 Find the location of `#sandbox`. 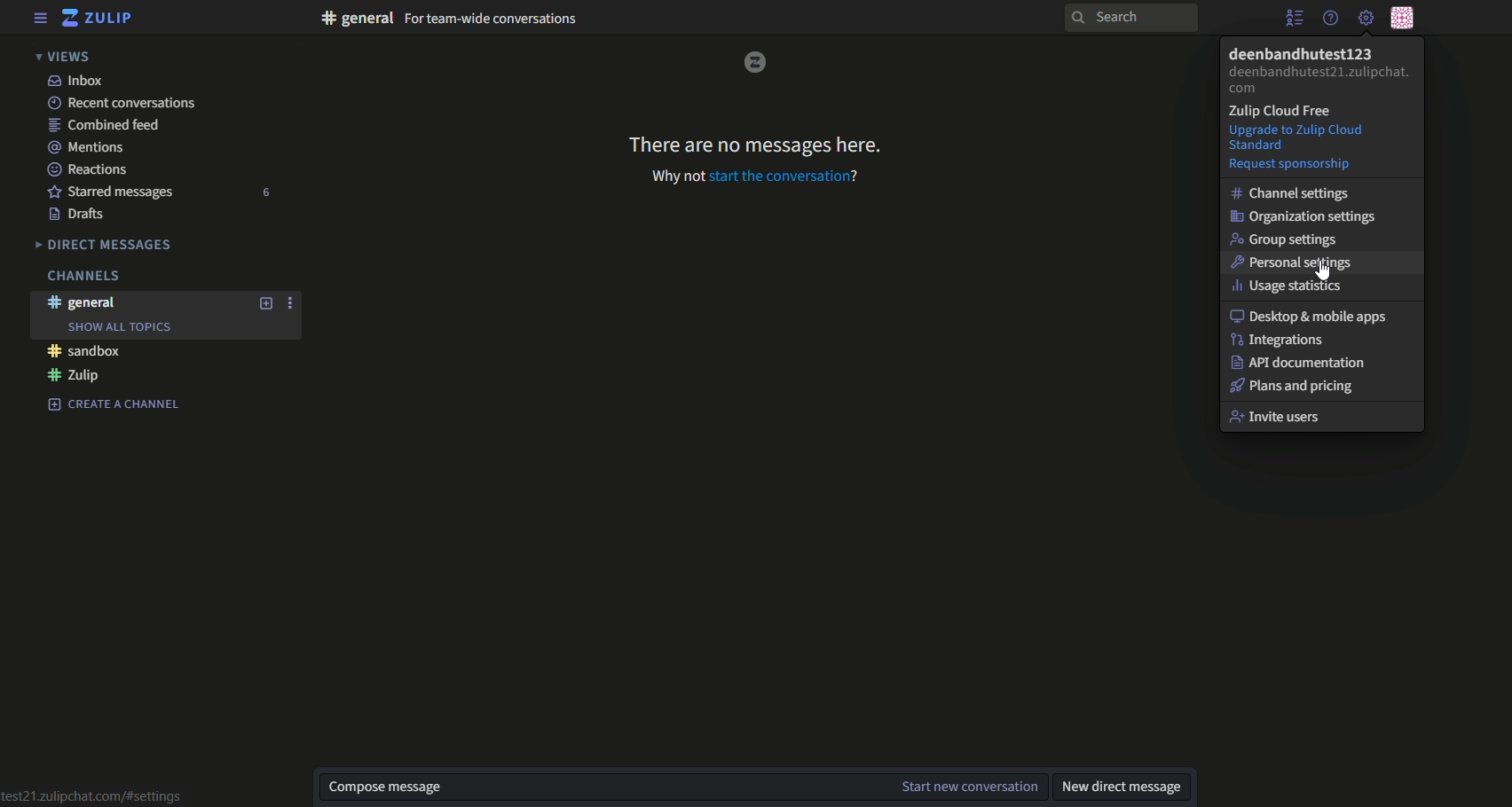

#sandbox is located at coordinates (86, 351).